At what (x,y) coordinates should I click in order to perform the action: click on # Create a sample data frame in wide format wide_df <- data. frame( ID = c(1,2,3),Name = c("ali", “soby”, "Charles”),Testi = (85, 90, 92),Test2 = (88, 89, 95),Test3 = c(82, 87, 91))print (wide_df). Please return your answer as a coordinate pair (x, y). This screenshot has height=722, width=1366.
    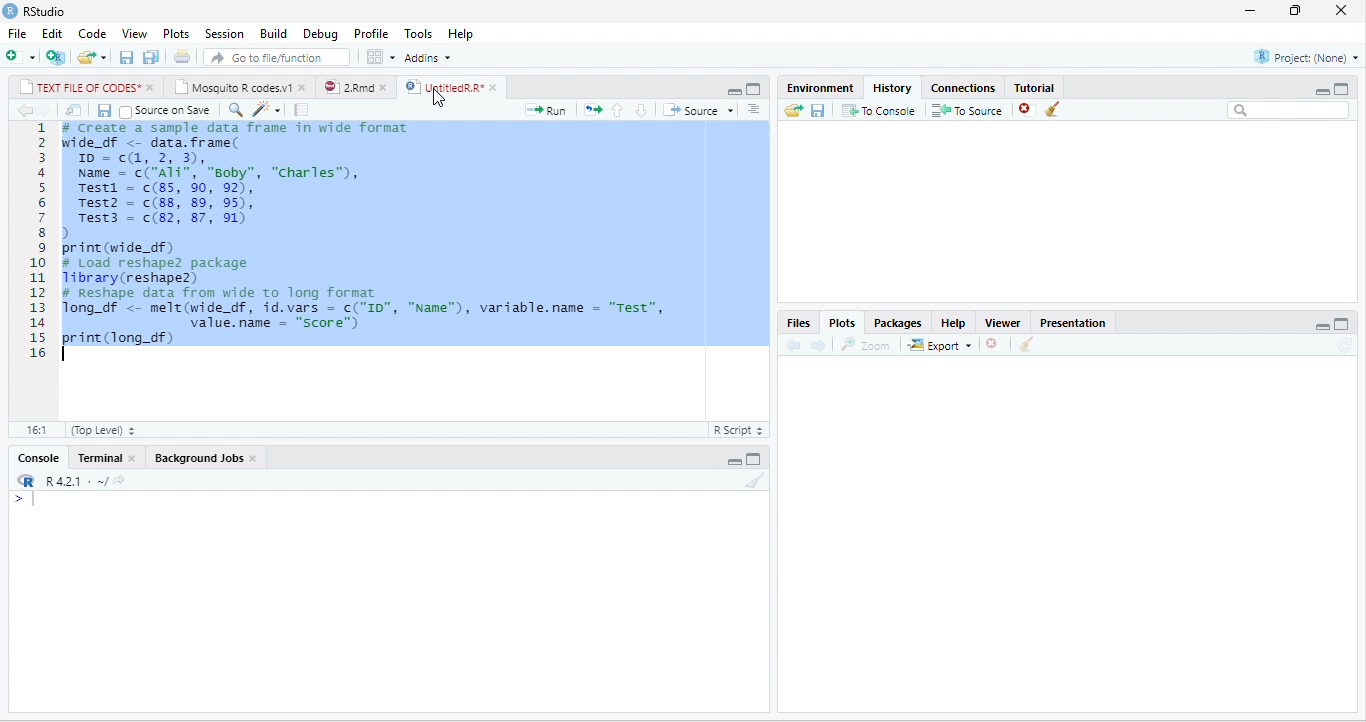
    Looking at the image, I should click on (235, 188).